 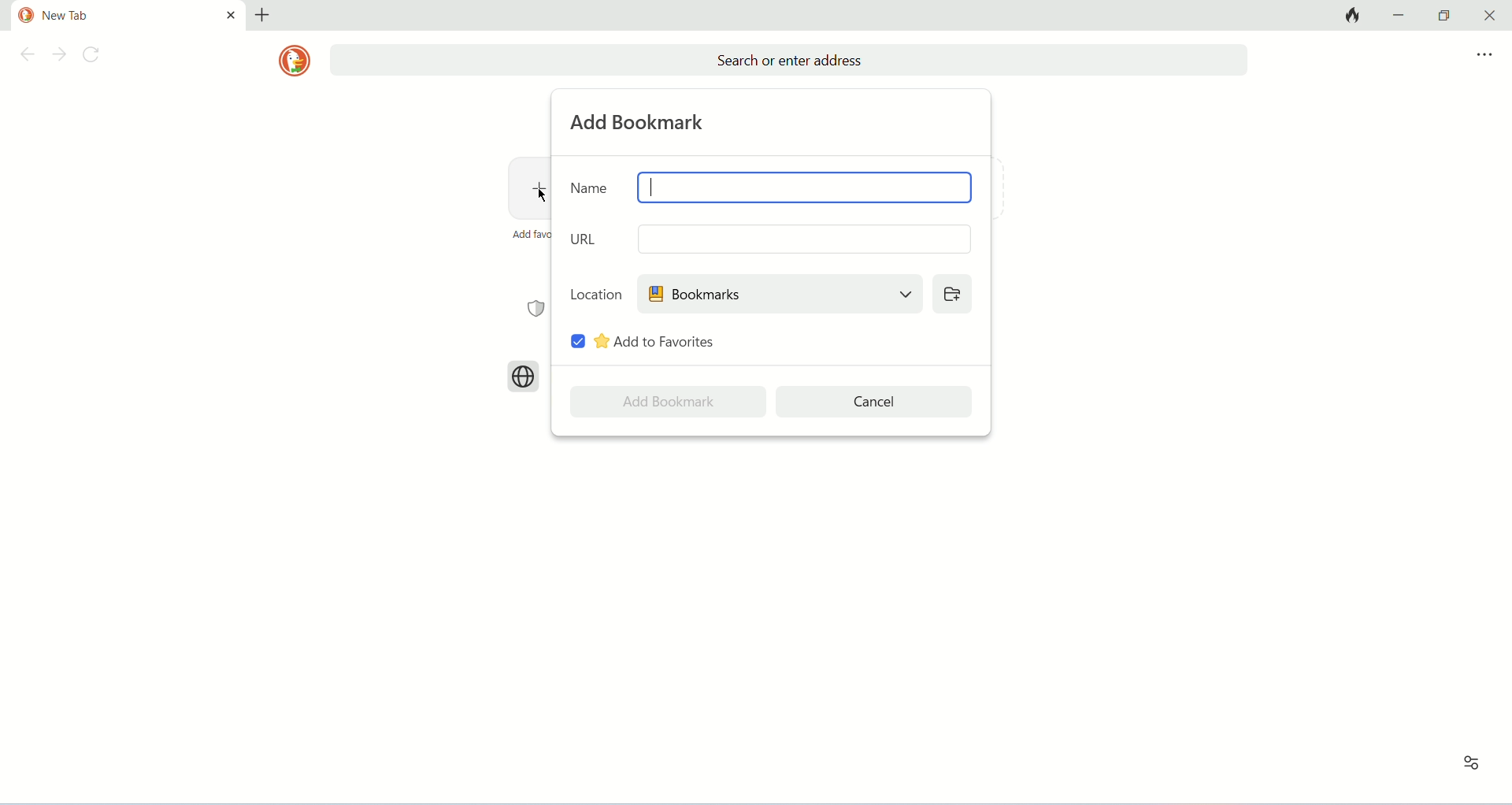 I want to click on new tab, so click(x=262, y=15).